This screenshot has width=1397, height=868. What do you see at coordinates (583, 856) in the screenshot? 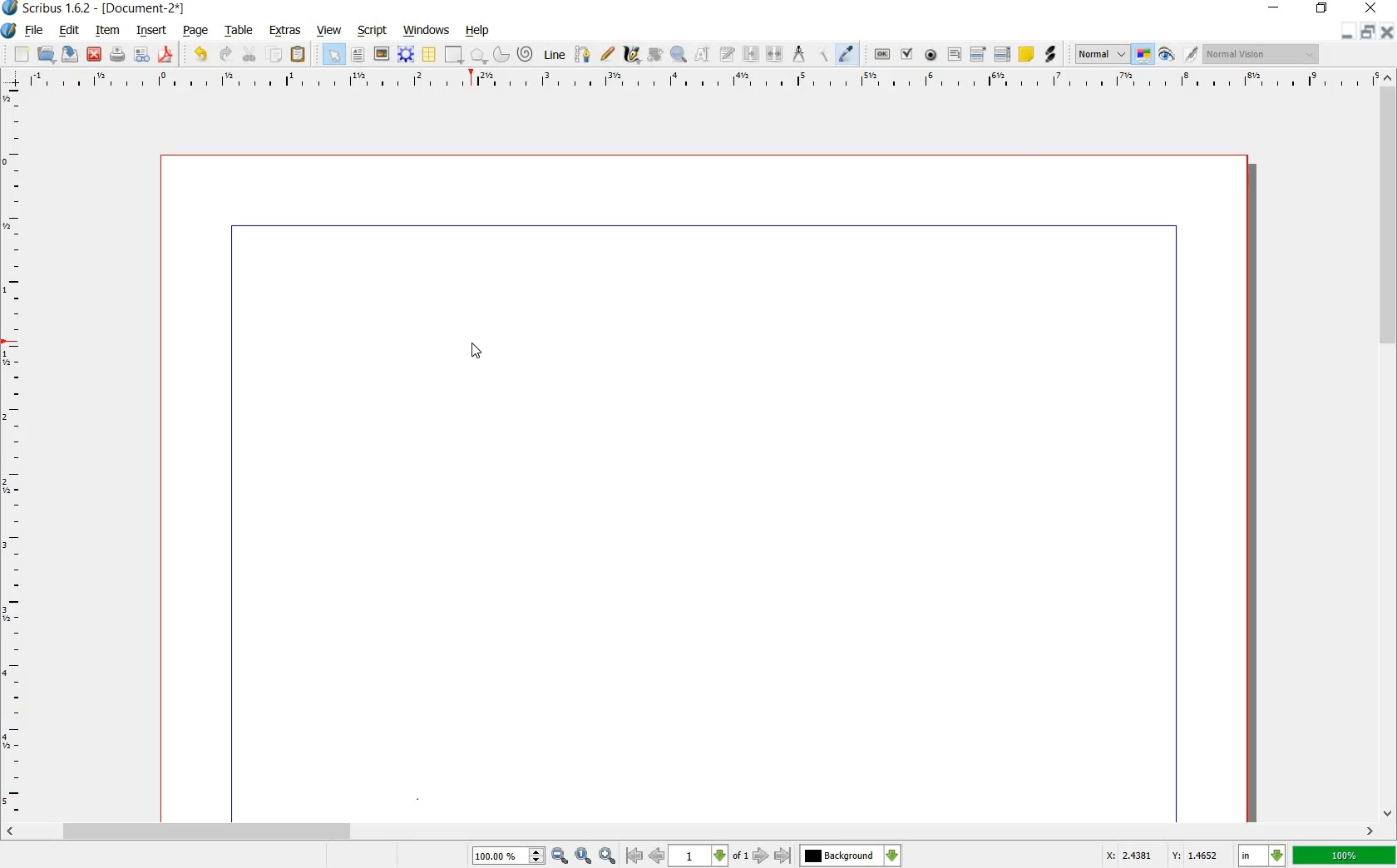
I see `zoom to` at bounding box center [583, 856].